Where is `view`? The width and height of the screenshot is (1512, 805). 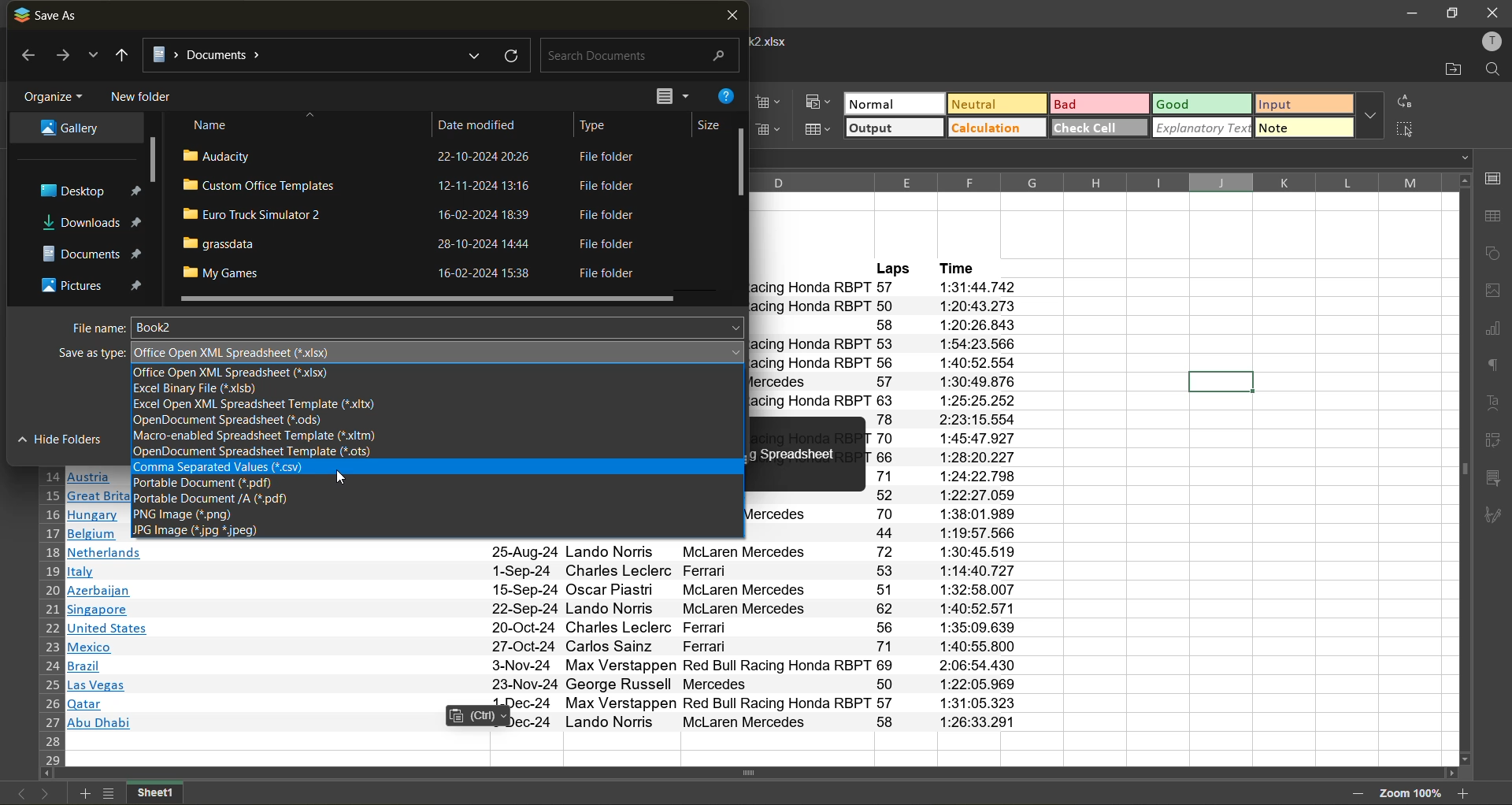
view is located at coordinates (669, 95).